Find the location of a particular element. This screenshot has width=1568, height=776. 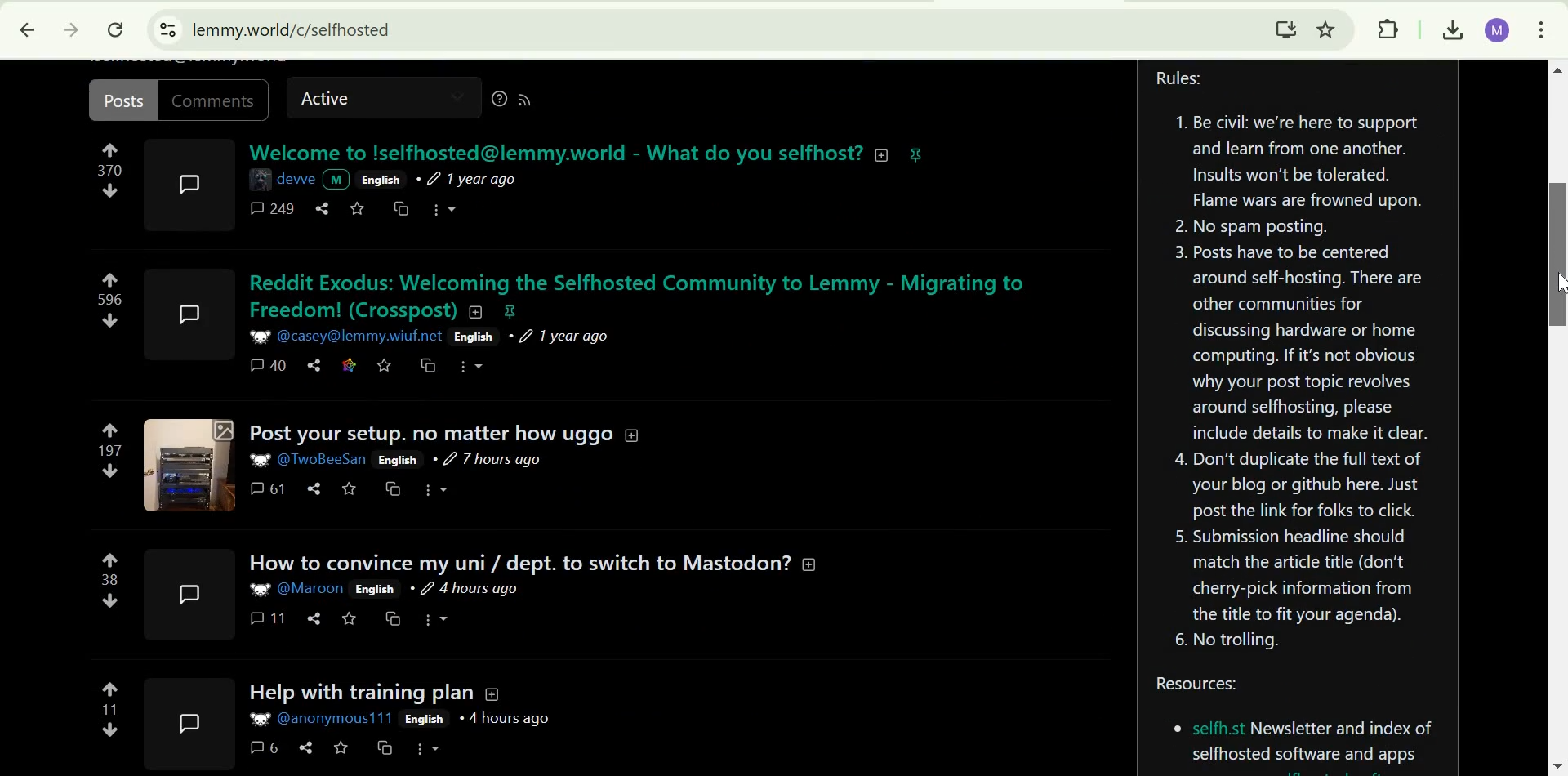

downvote is located at coordinates (109, 322).